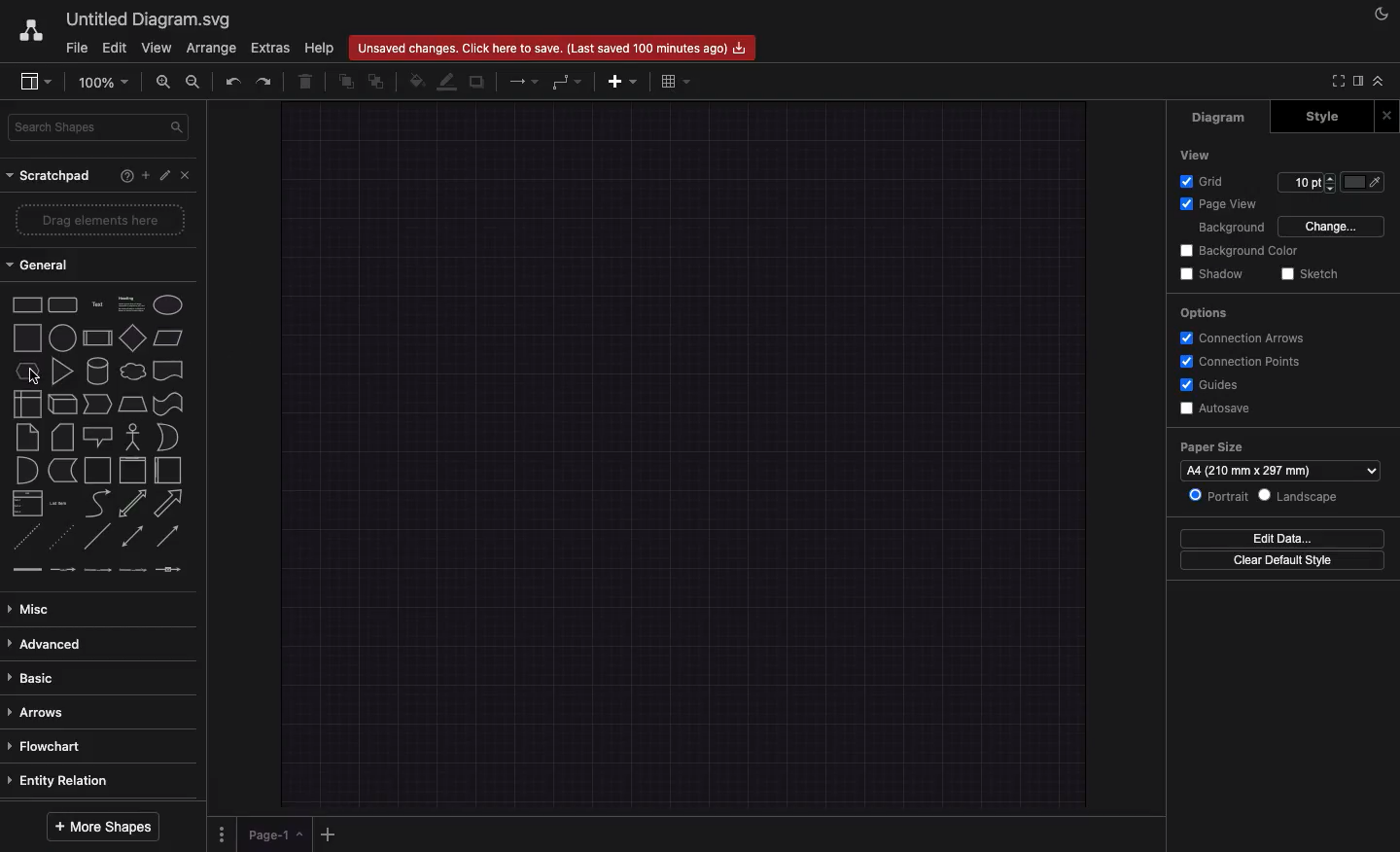 Image resolution: width=1400 pixels, height=852 pixels. What do you see at coordinates (40, 711) in the screenshot?
I see `Arrows` at bounding box center [40, 711].